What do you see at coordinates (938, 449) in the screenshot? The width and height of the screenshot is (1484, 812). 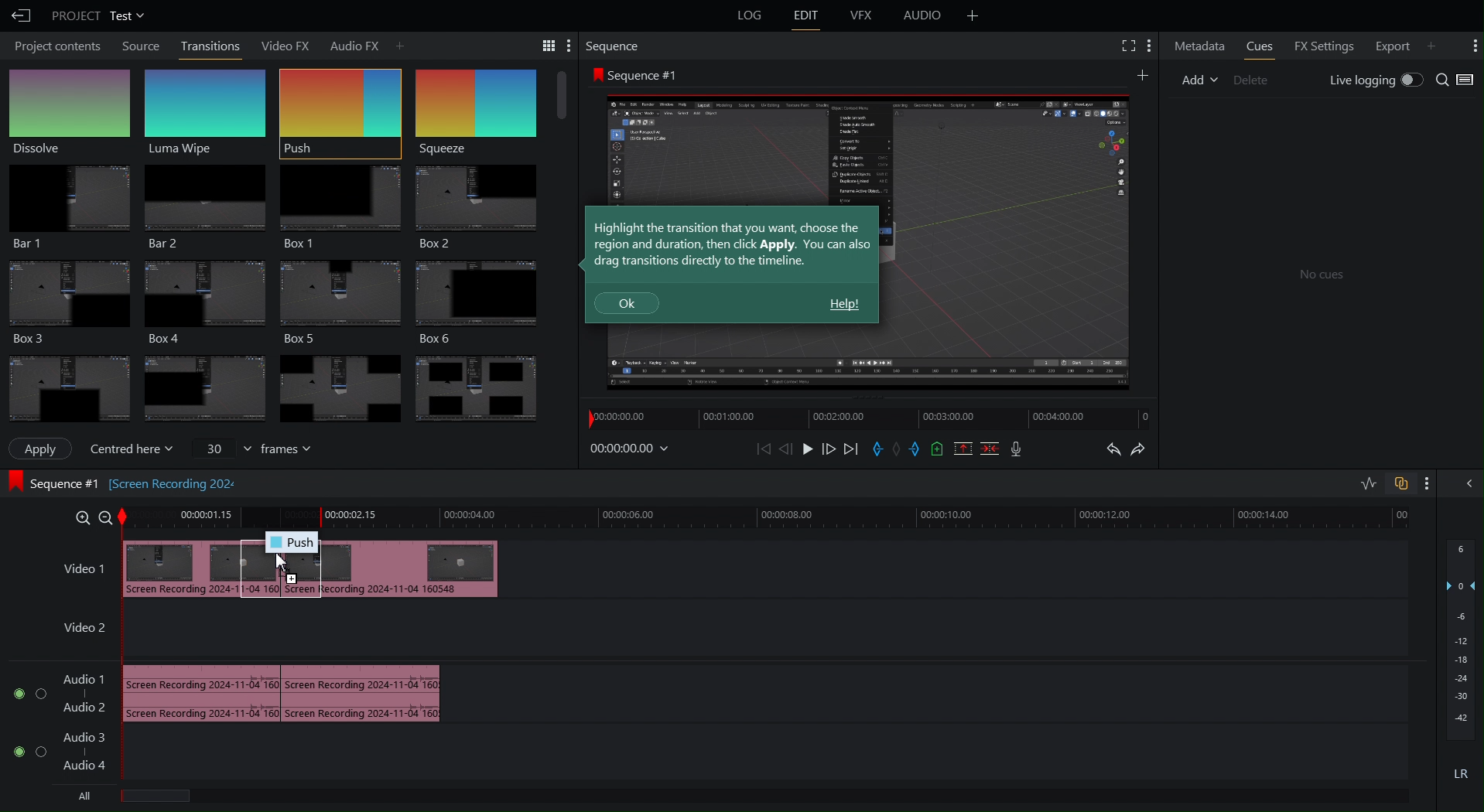 I see `Add Cue` at bounding box center [938, 449].